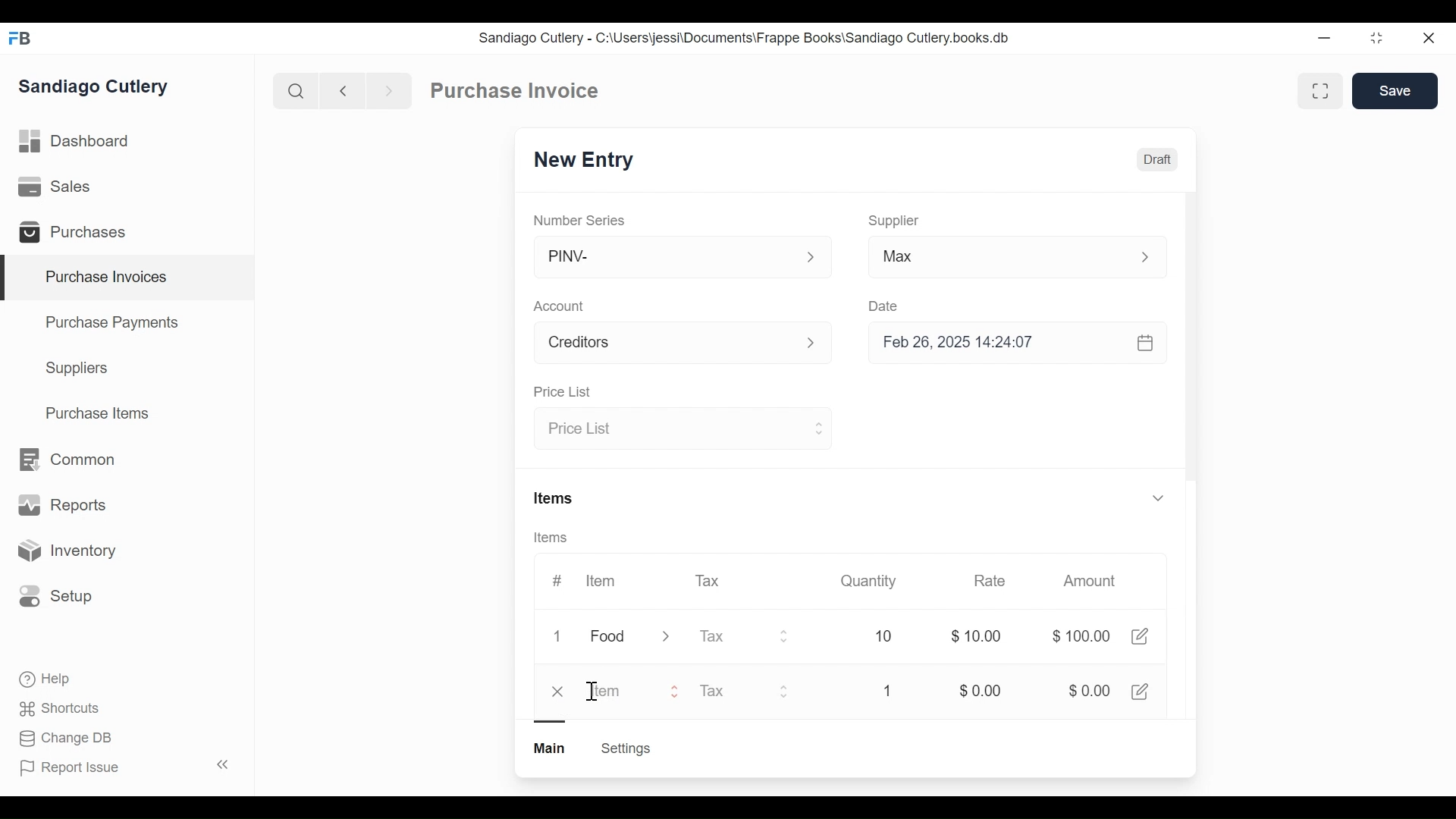 This screenshot has height=819, width=1456. What do you see at coordinates (710, 579) in the screenshot?
I see `Tax` at bounding box center [710, 579].